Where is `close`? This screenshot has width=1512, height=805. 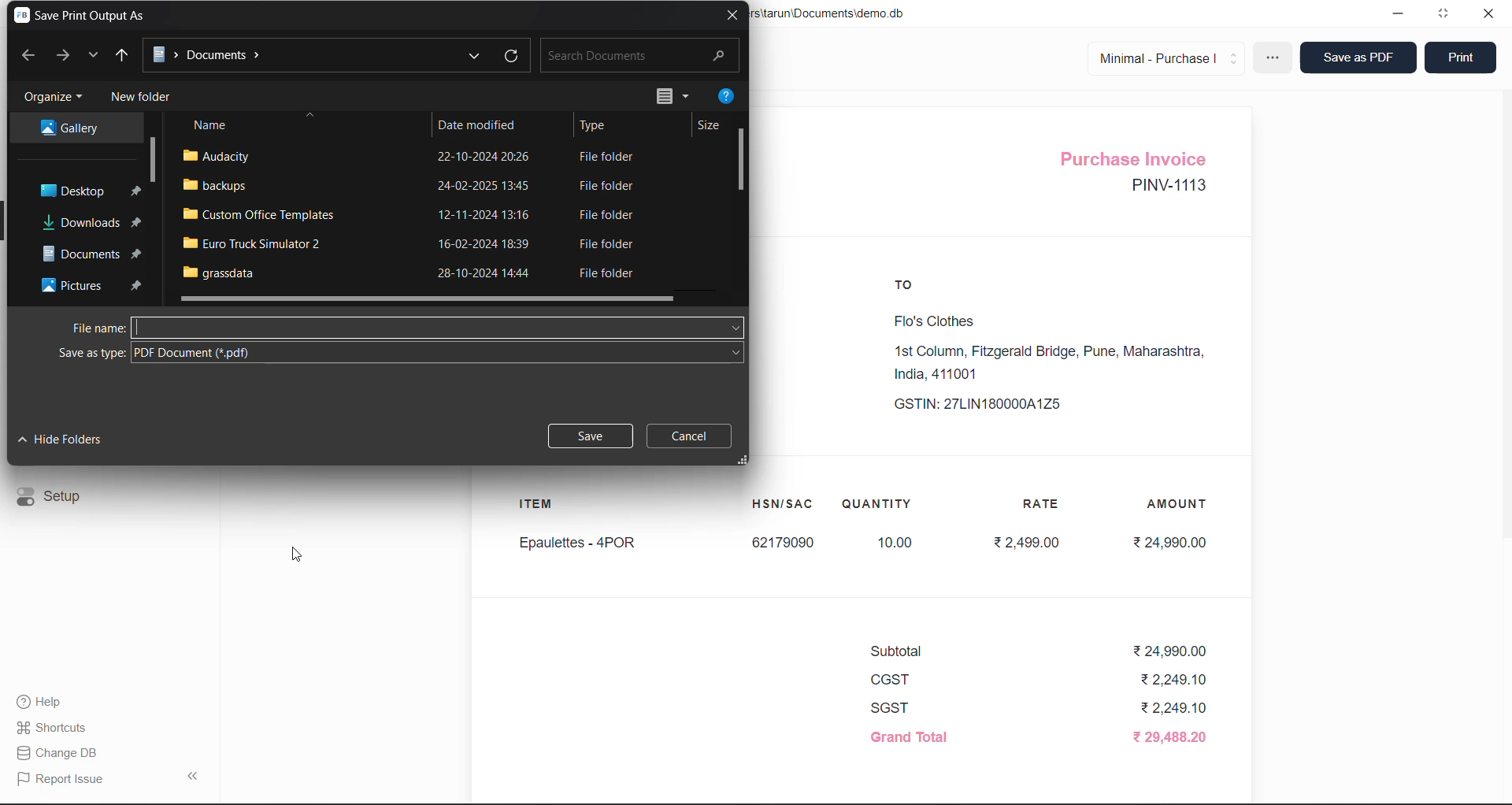
close is located at coordinates (737, 17).